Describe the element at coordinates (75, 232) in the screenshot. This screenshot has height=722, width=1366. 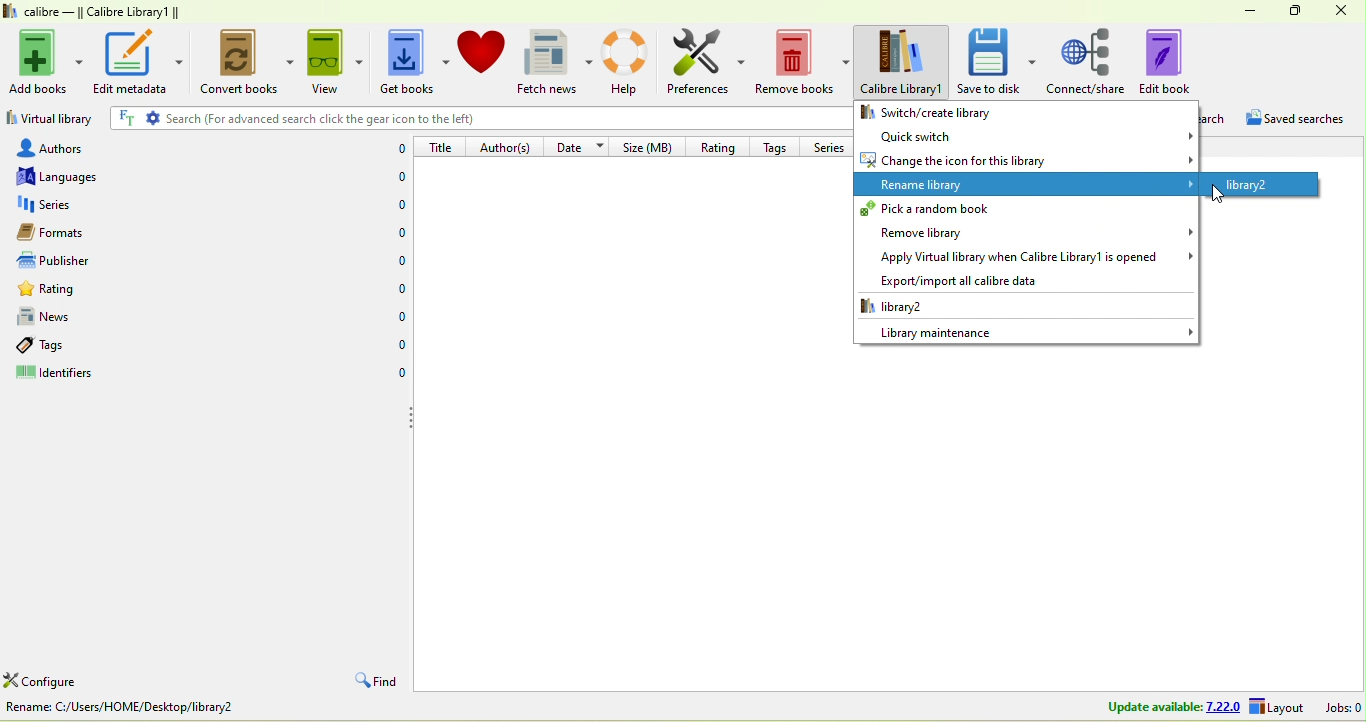
I see `formats` at that location.